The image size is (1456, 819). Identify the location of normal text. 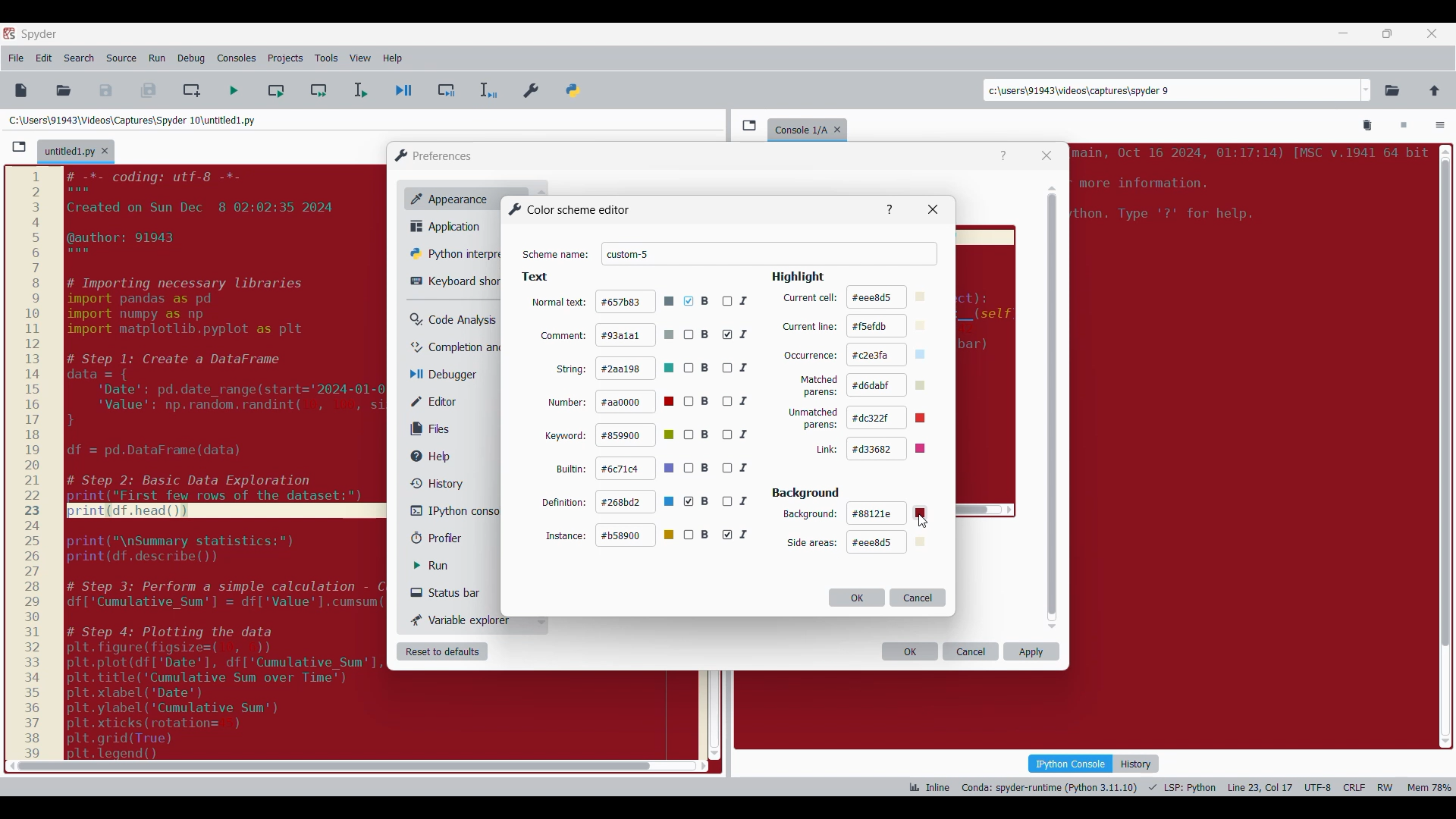
(558, 304).